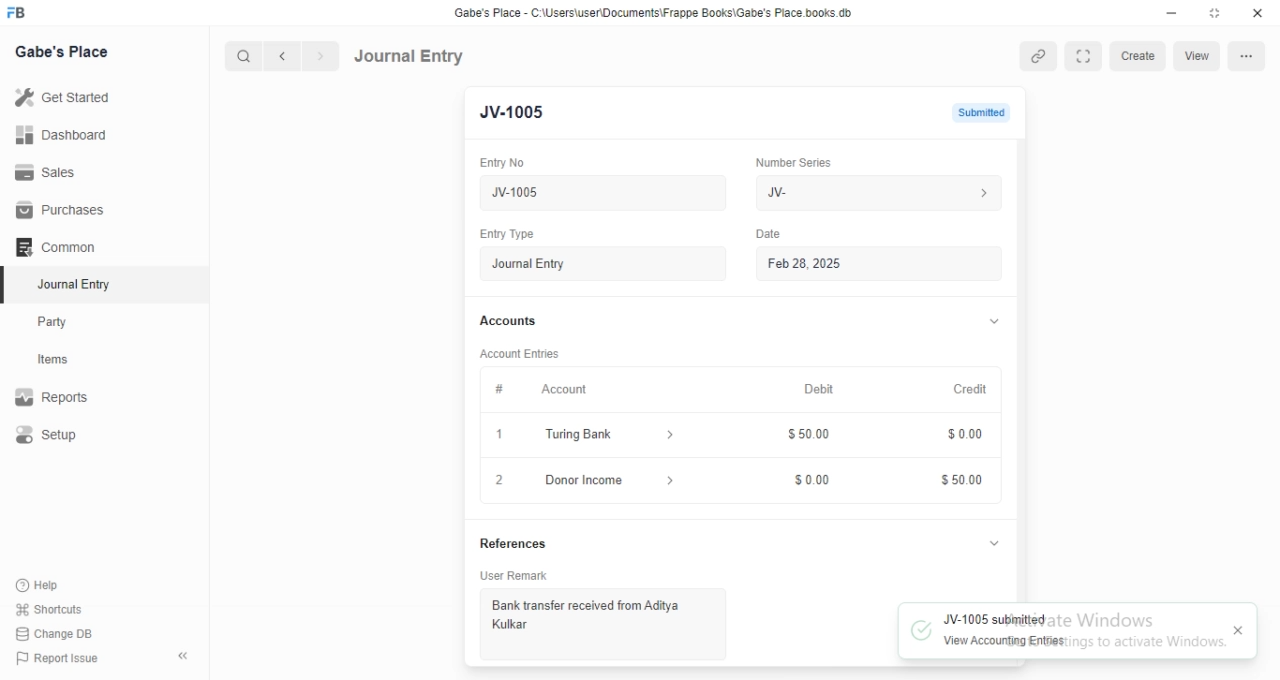 This screenshot has width=1280, height=680. What do you see at coordinates (1138, 55) in the screenshot?
I see `create` at bounding box center [1138, 55].